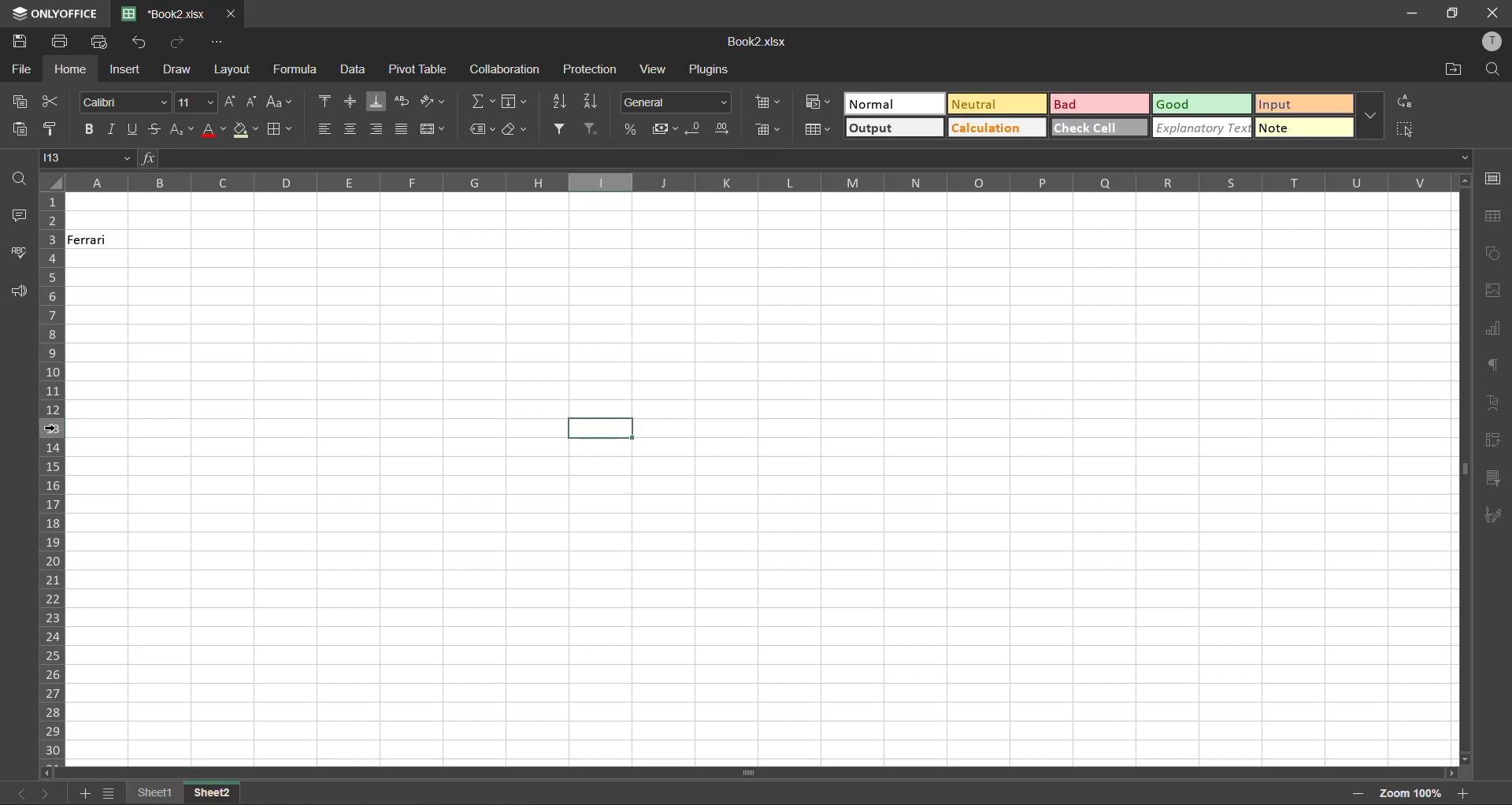  Describe the element at coordinates (1494, 217) in the screenshot. I see `table` at that location.